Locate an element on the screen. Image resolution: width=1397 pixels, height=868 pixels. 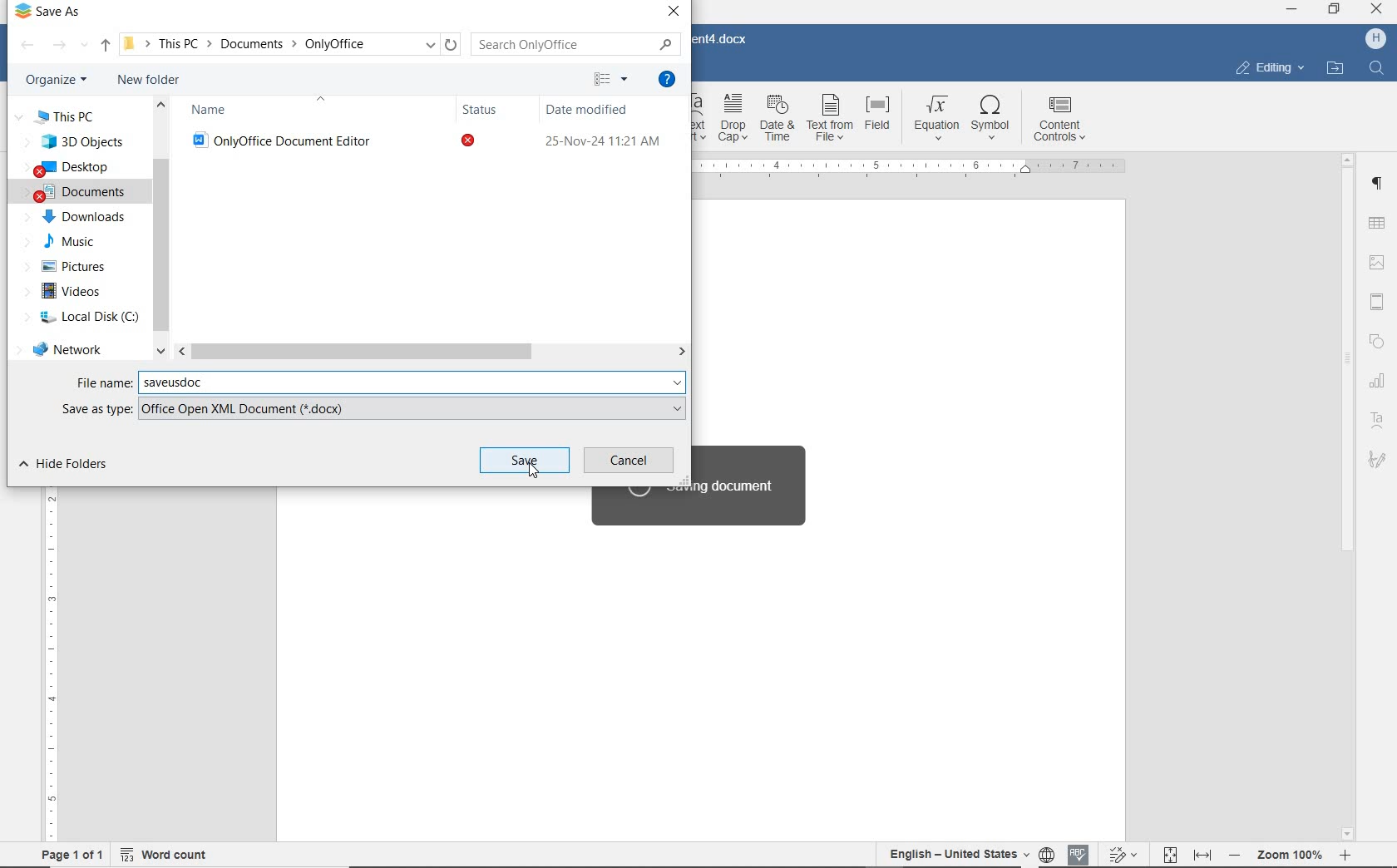
Status is located at coordinates (478, 108).